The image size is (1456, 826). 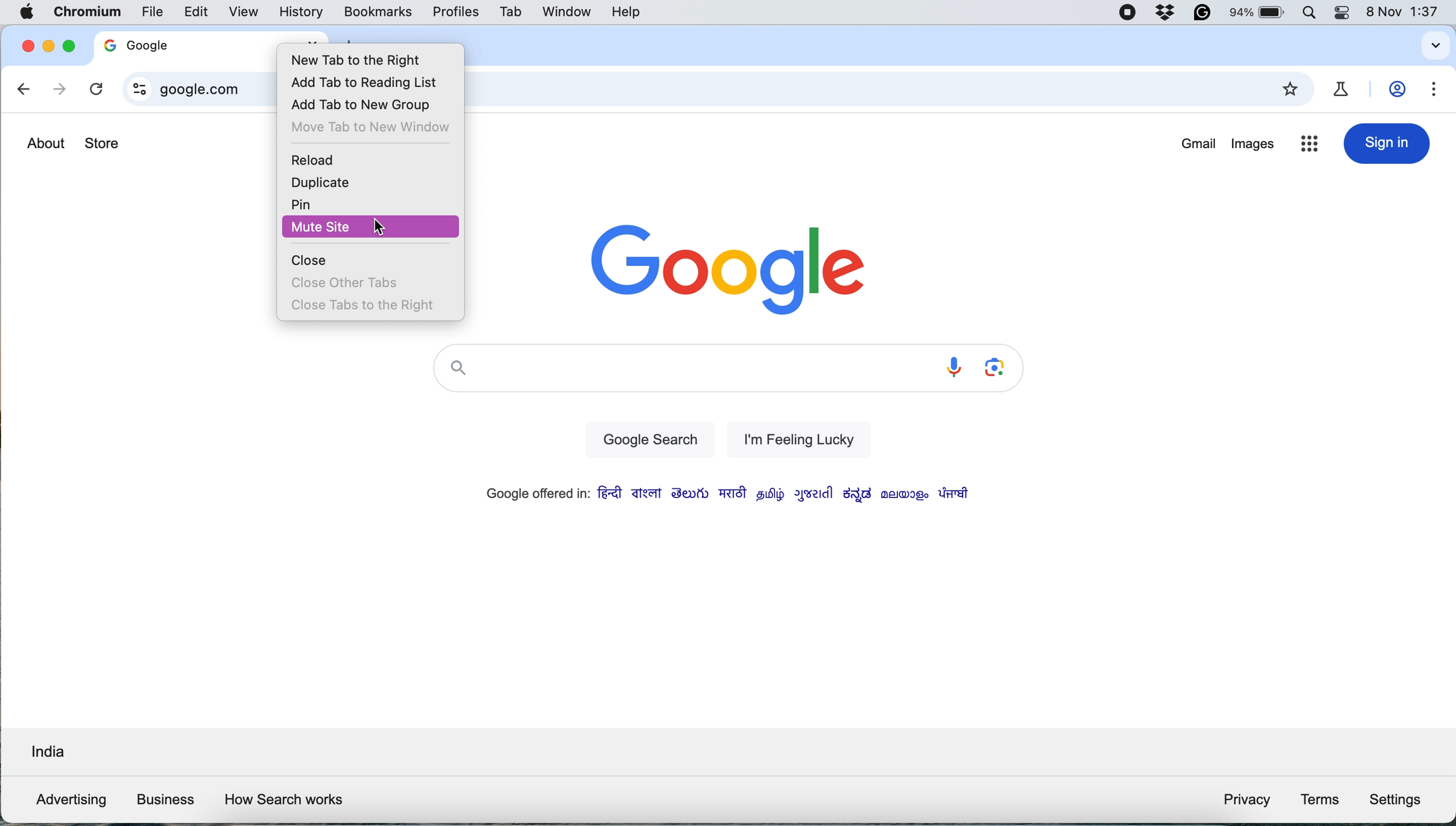 I want to click on move tab to new window, so click(x=373, y=127).